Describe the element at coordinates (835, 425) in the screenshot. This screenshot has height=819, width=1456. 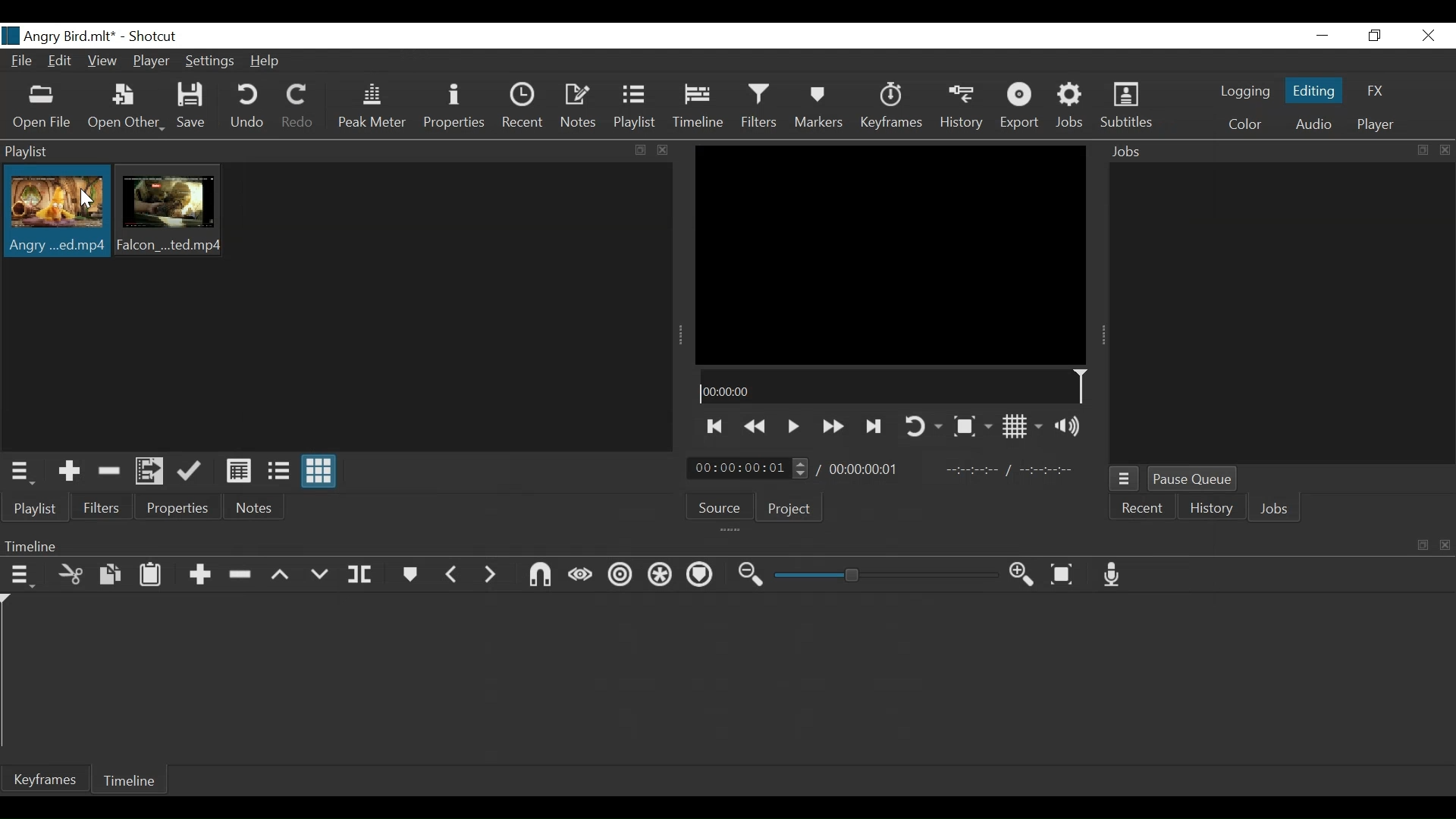
I see `Toggle play forward quickly` at that location.